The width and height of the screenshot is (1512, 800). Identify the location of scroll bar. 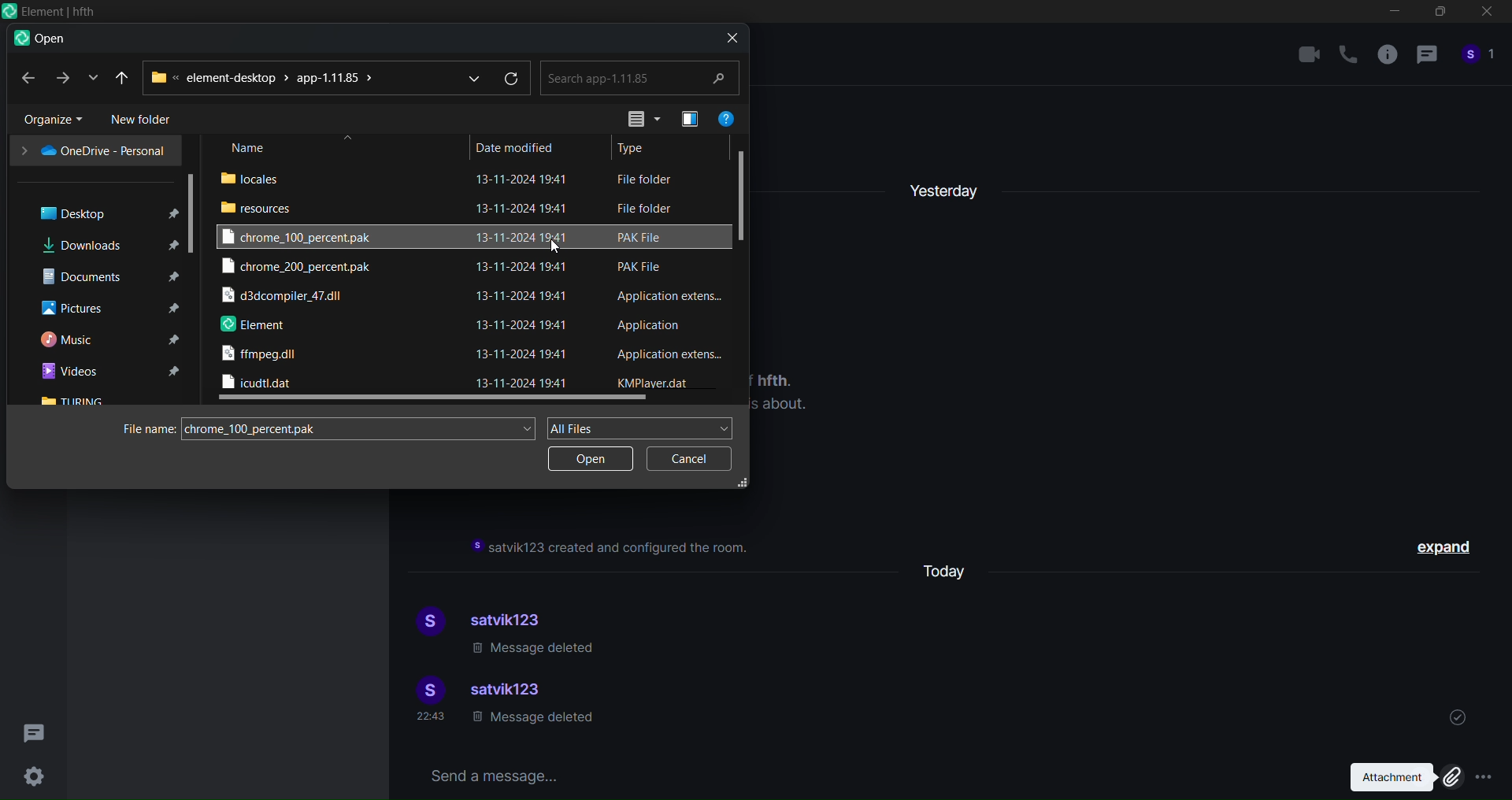
(194, 212).